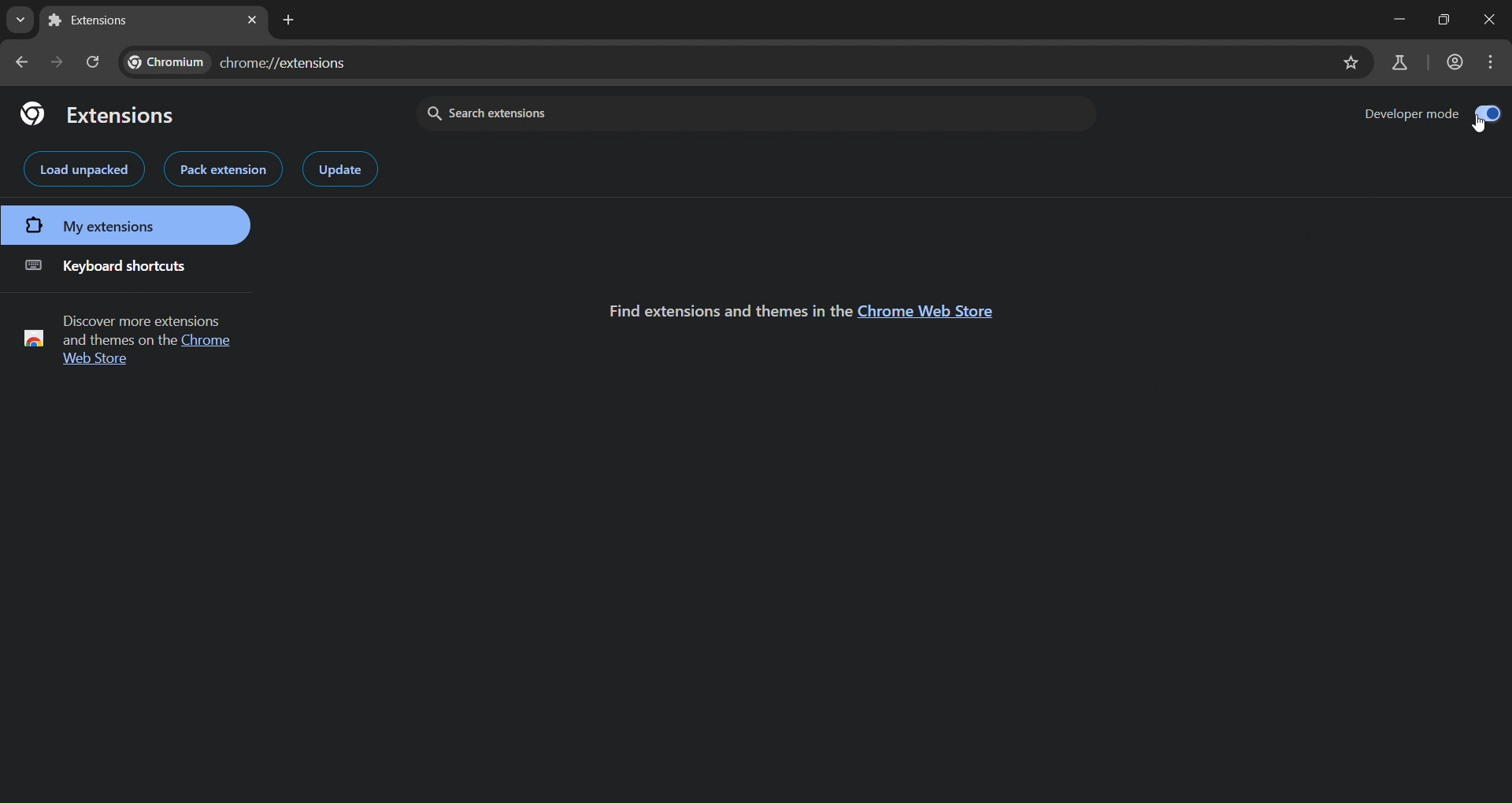 This screenshot has height=803, width=1512. I want to click on search labs, so click(1399, 62).